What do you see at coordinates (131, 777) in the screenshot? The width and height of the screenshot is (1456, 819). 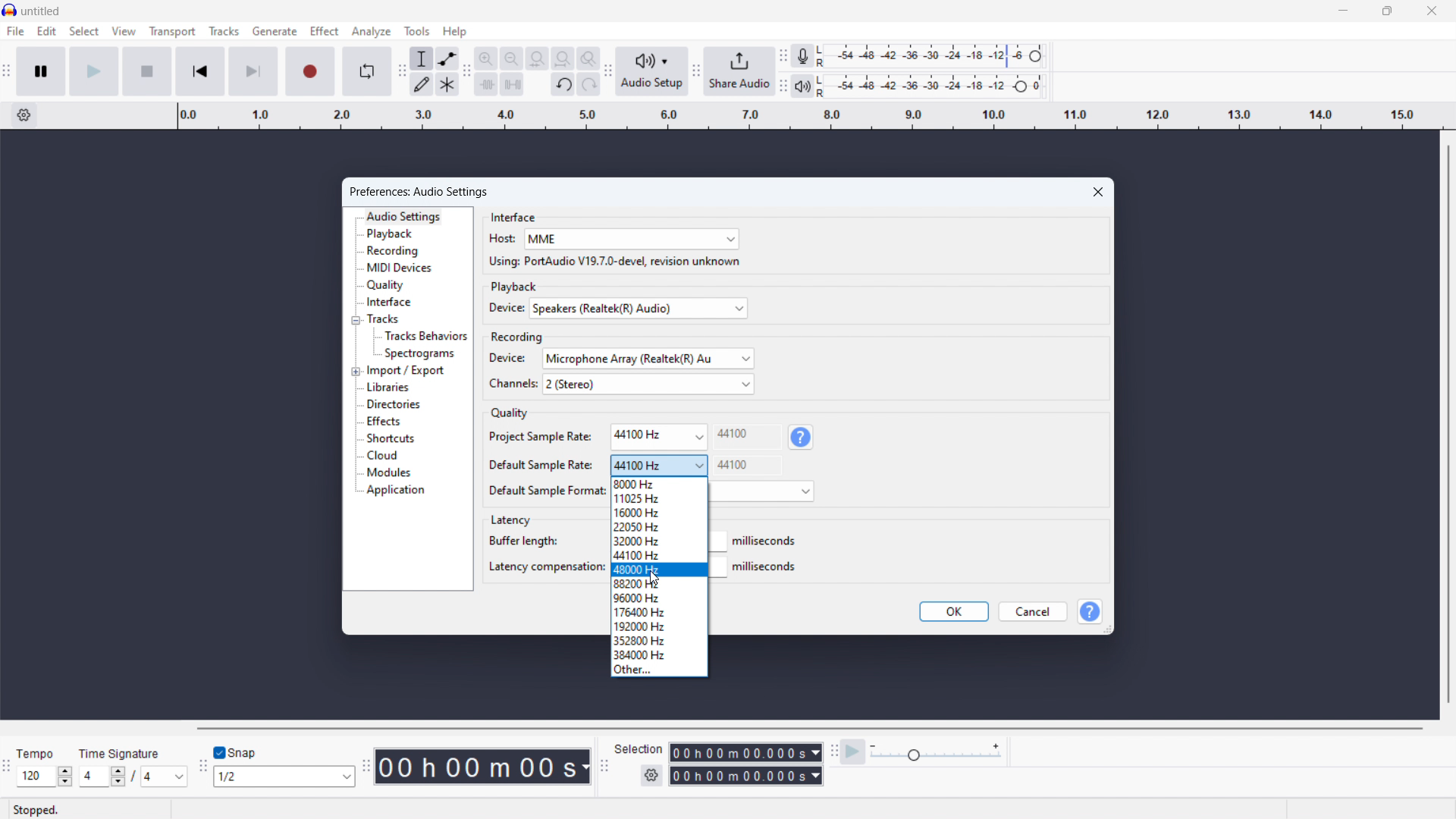 I see `set time signature` at bounding box center [131, 777].